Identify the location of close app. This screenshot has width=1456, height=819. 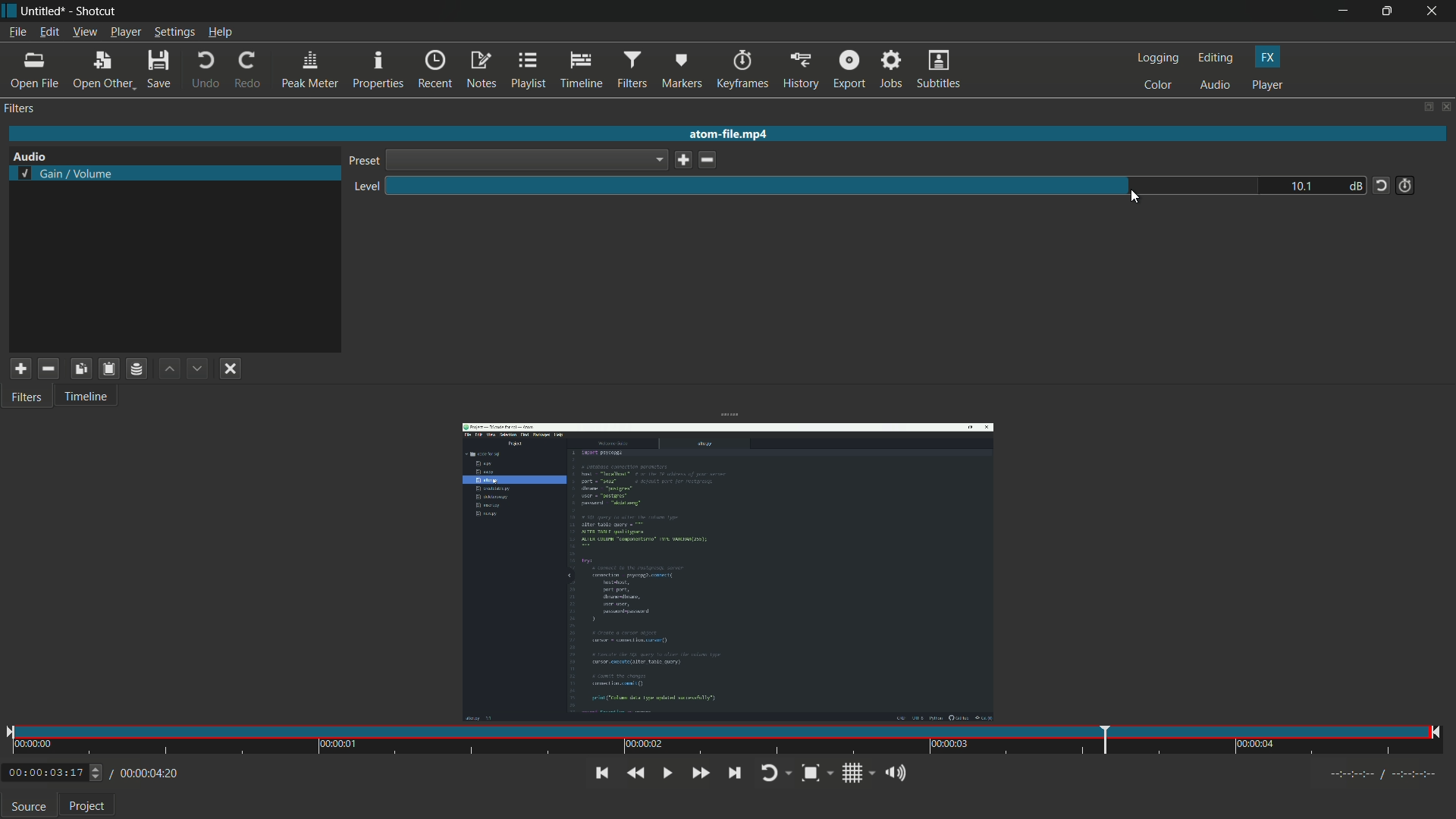
(1435, 11).